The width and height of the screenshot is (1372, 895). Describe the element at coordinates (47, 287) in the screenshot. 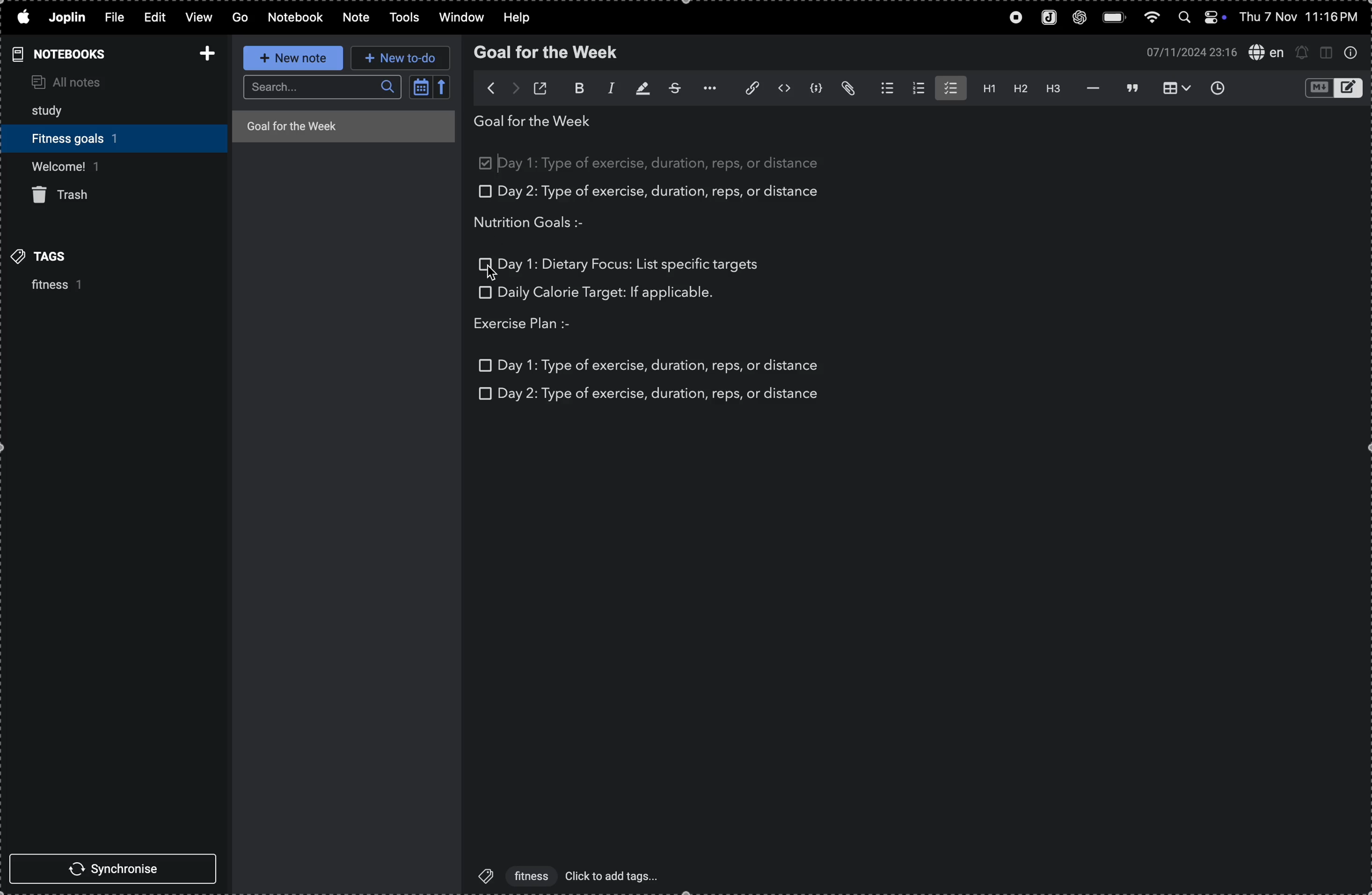

I see `fitness 1` at that location.